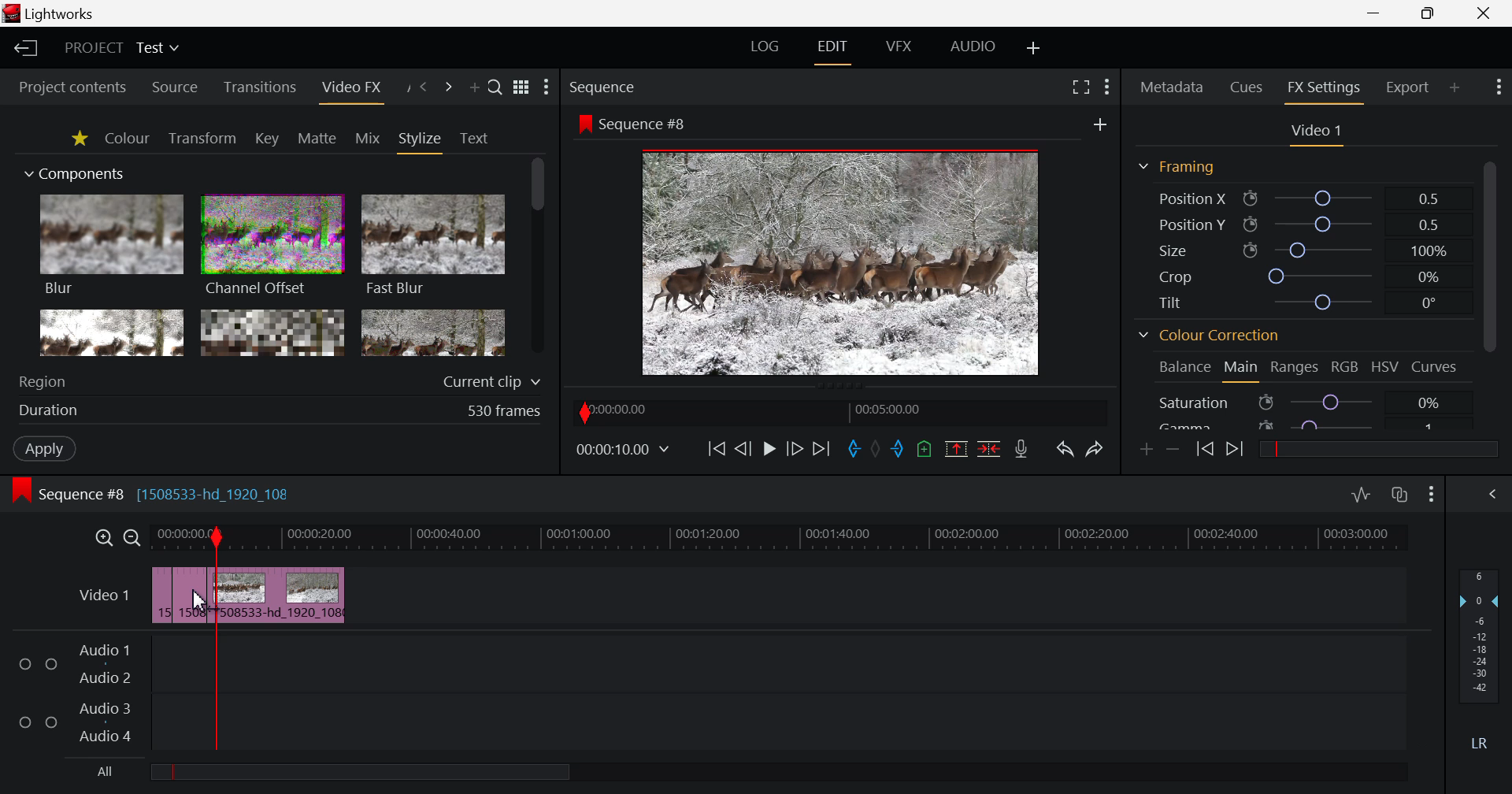 This screenshot has width=1512, height=794. I want to click on pause, so click(769, 451).